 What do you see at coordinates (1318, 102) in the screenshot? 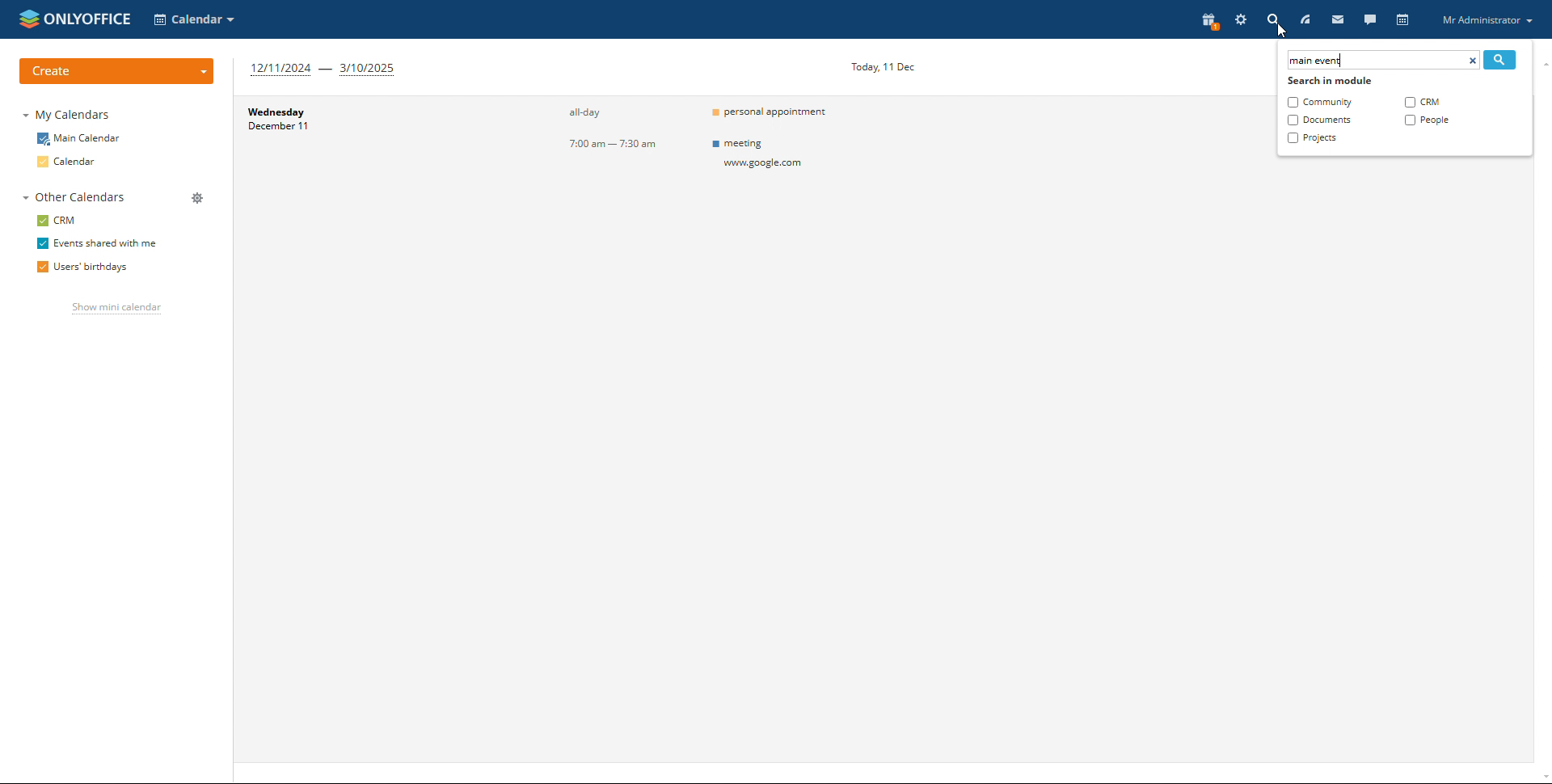
I see `community` at bounding box center [1318, 102].